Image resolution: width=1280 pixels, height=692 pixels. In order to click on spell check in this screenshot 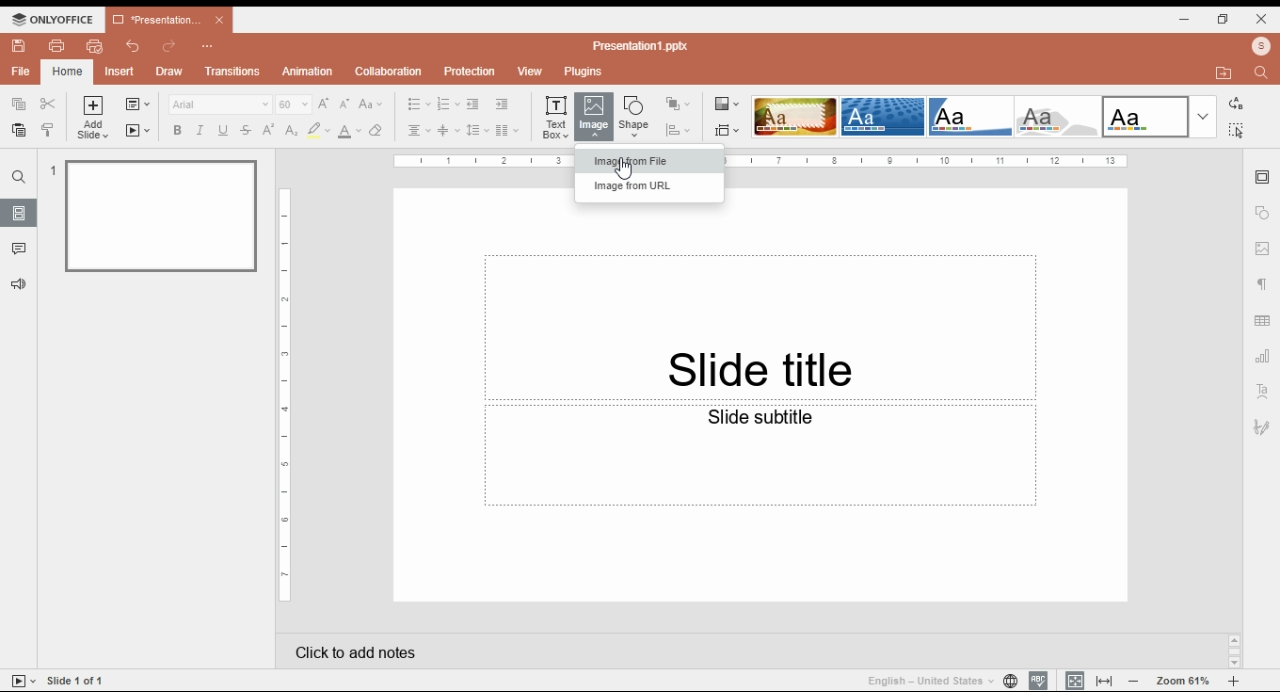, I will do `click(1039, 679)`.